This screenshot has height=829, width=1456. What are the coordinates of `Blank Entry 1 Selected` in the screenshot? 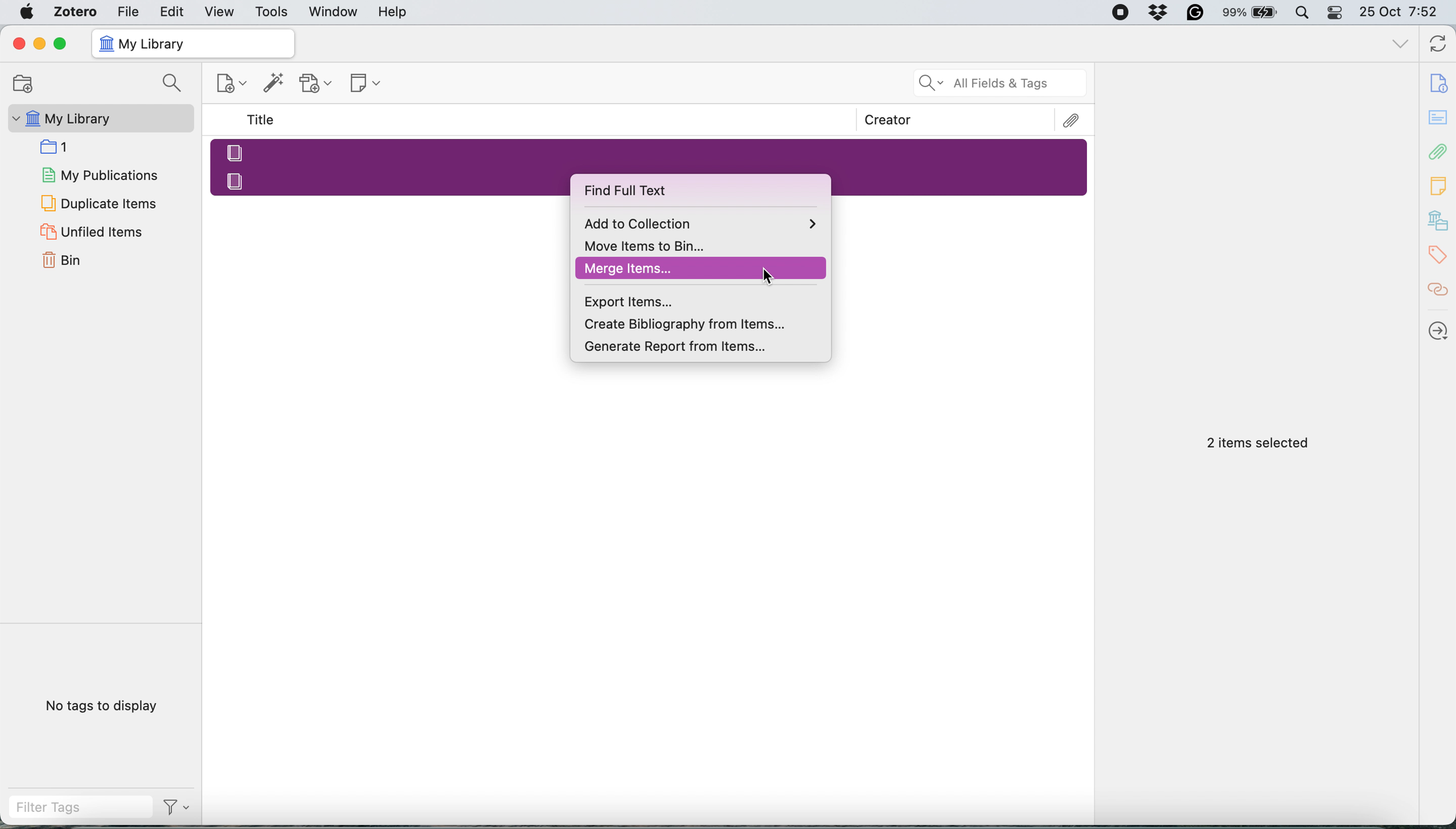 It's located at (648, 151).